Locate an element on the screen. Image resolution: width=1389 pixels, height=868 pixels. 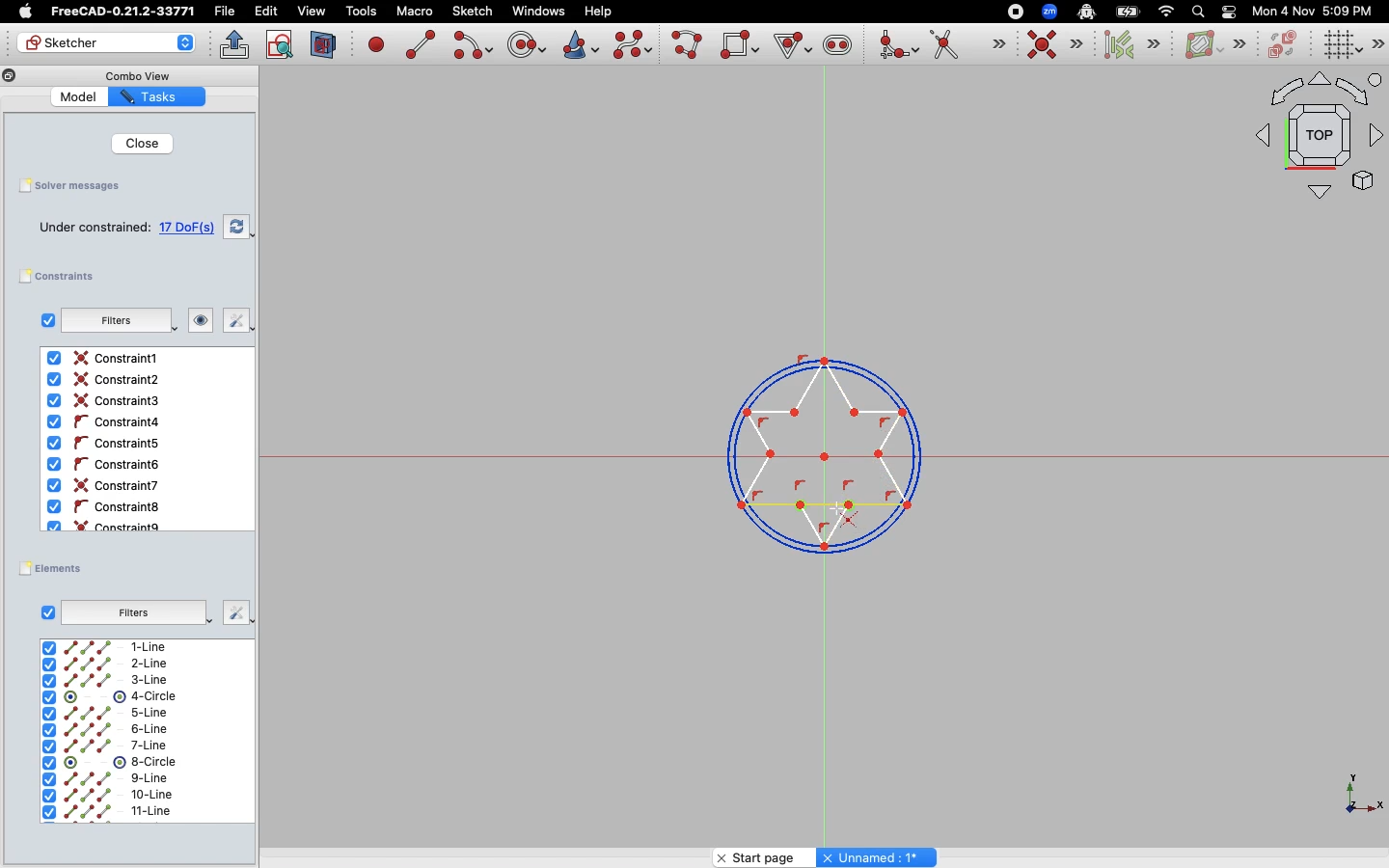
Create arc is located at coordinates (472, 45).